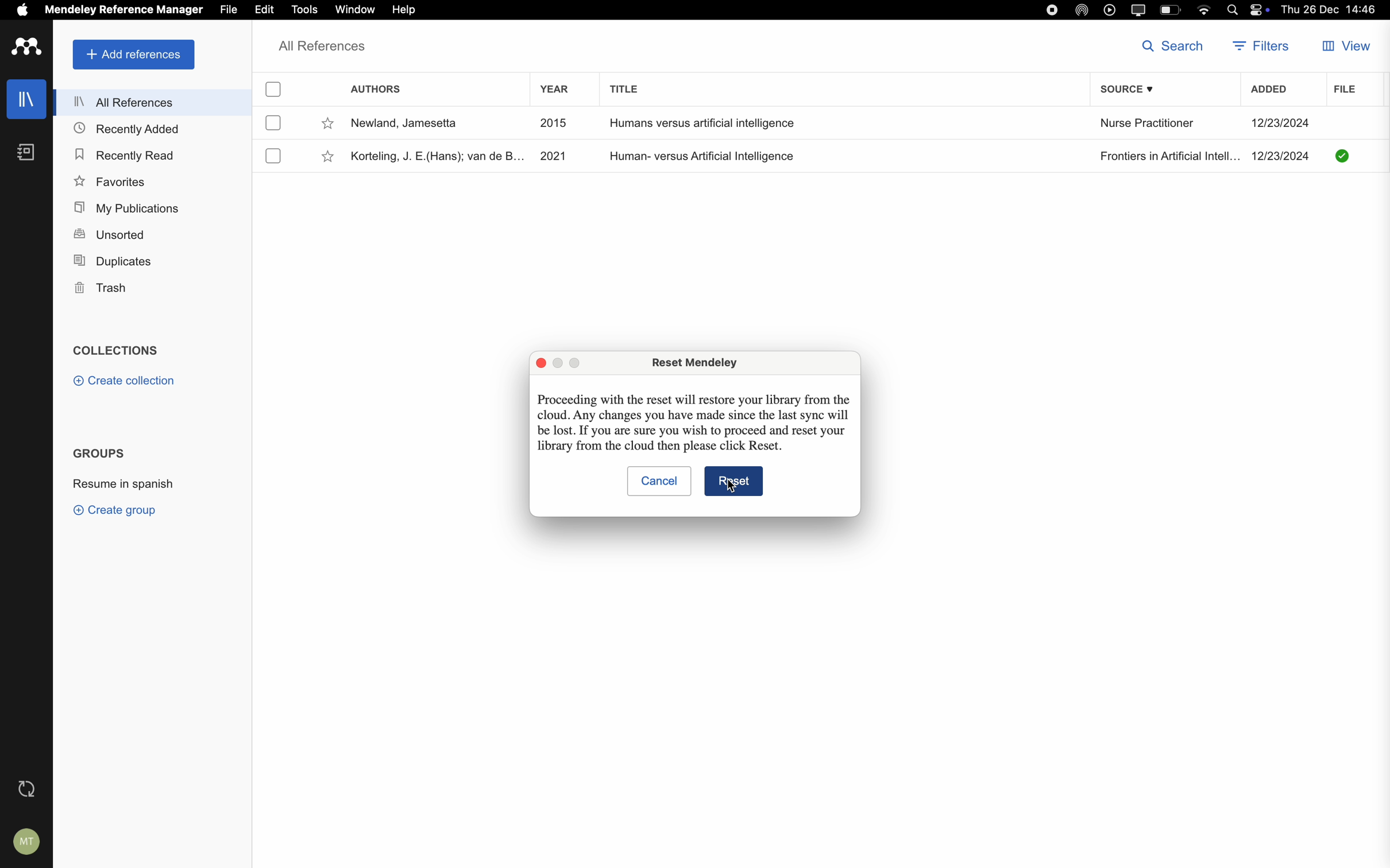  What do you see at coordinates (273, 90) in the screenshot?
I see `checkbox` at bounding box center [273, 90].